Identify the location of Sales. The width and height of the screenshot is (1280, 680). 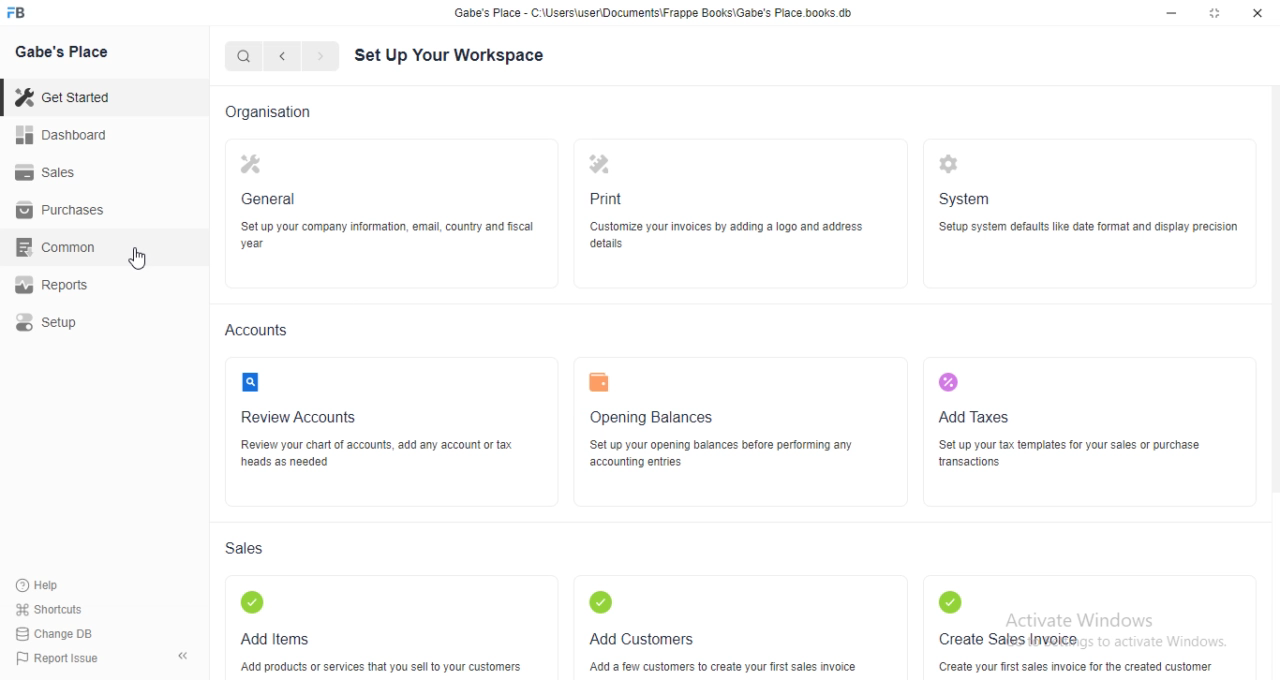
(248, 546).